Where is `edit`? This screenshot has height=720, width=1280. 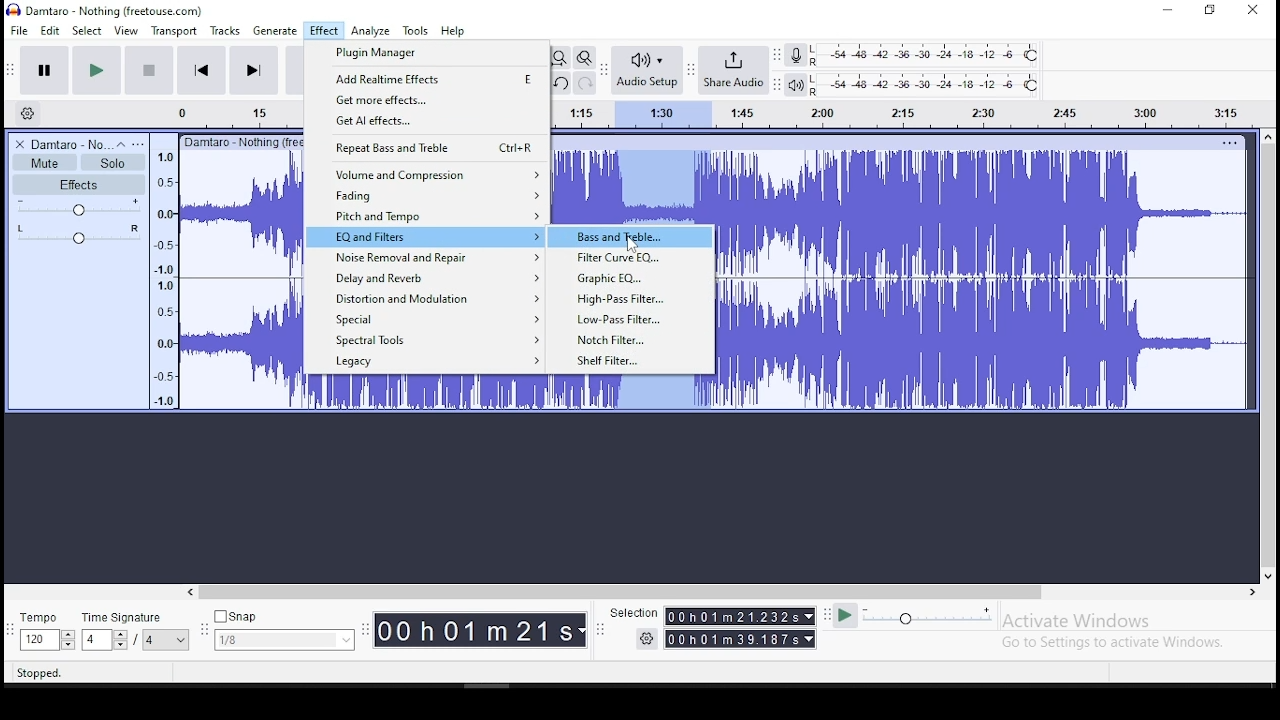 edit is located at coordinates (51, 31).